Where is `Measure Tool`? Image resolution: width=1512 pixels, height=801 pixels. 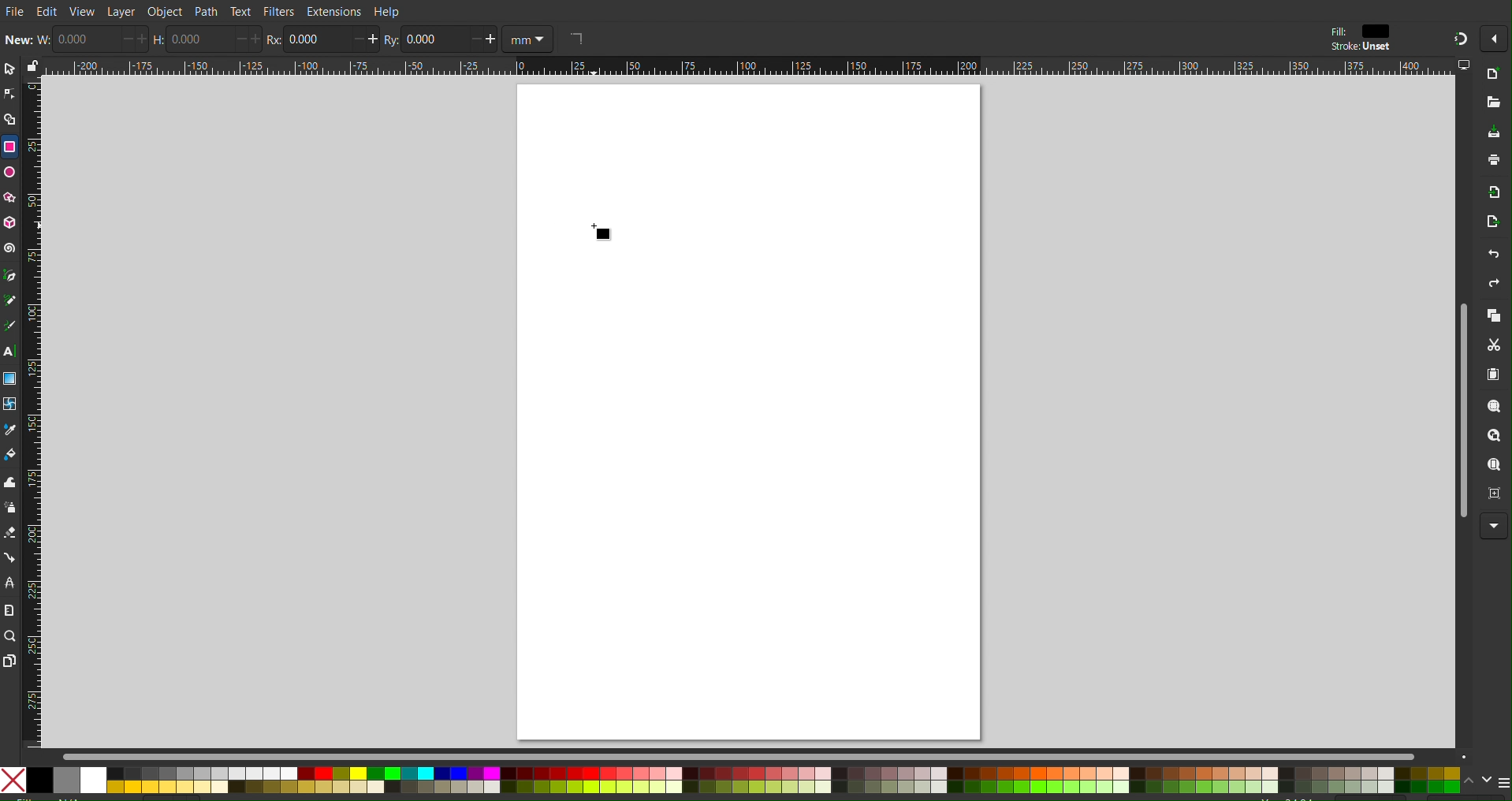
Measure Tool is located at coordinates (9, 610).